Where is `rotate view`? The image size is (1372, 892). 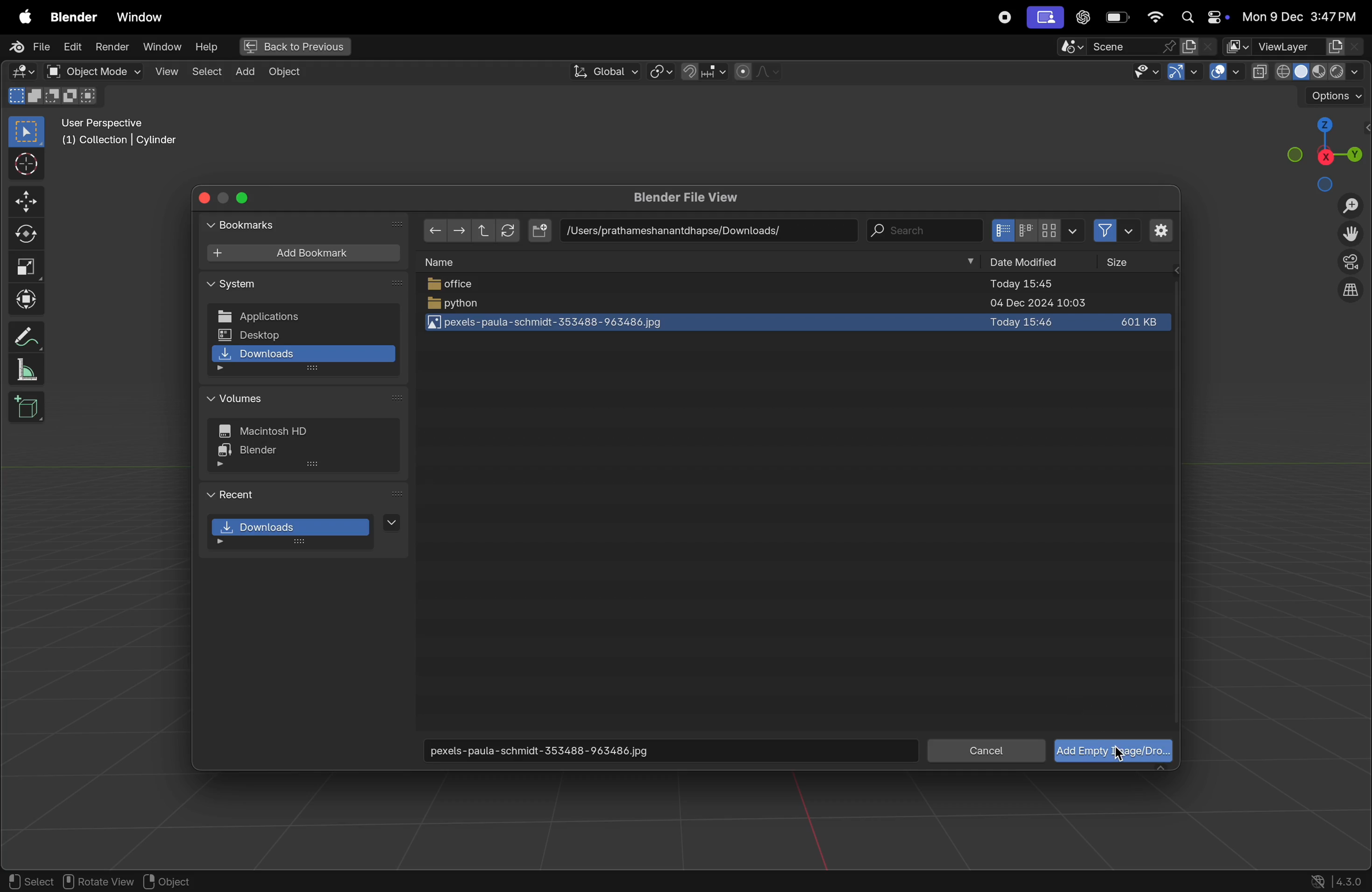 rotate view is located at coordinates (101, 882).